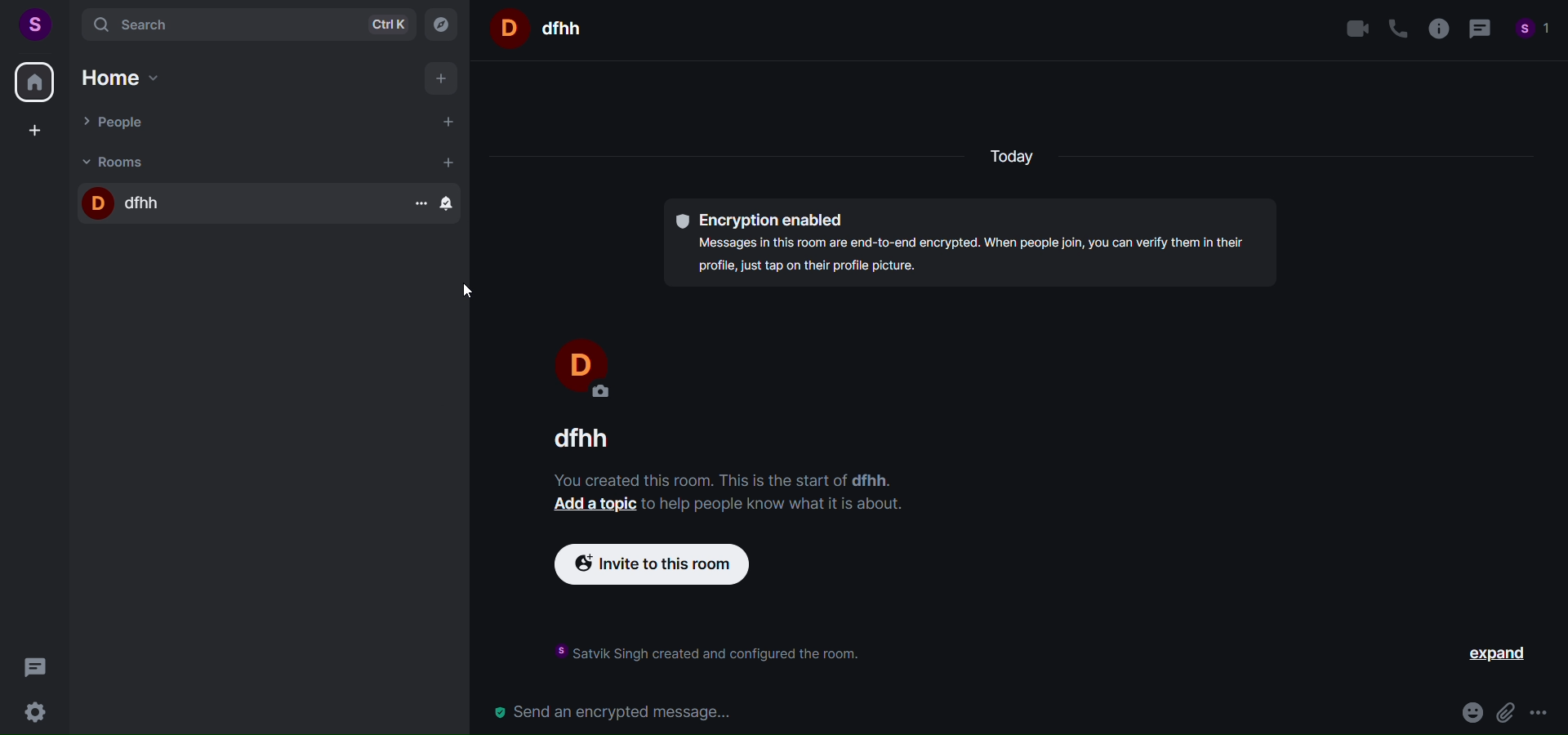 The image size is (1568, 735). What do you see at coordinates (1470, 710) in the screenshot?
I see `emoji` at bounding box center [1470, 710].